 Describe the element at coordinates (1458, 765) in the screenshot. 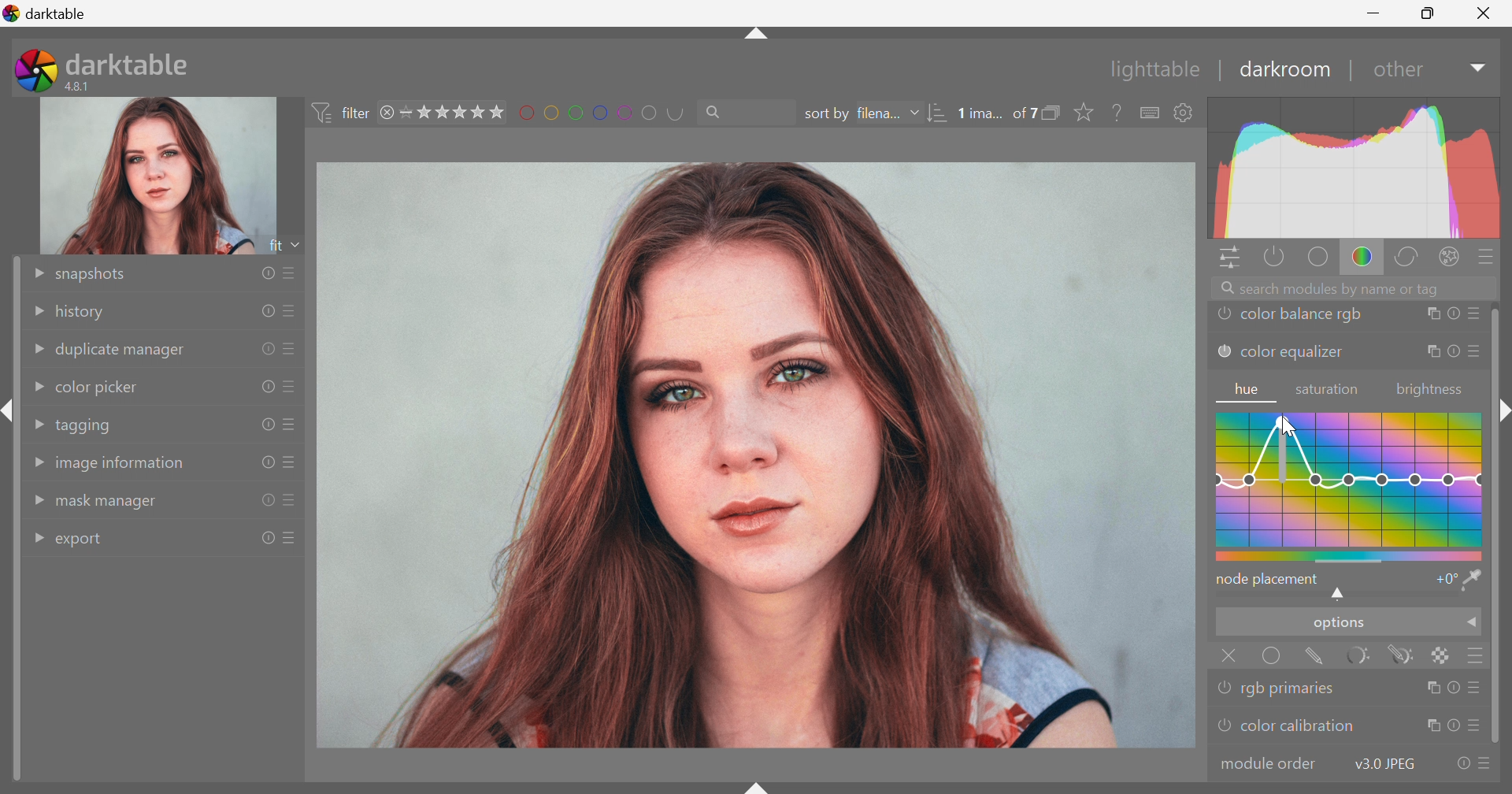

I see `reset` at that location.